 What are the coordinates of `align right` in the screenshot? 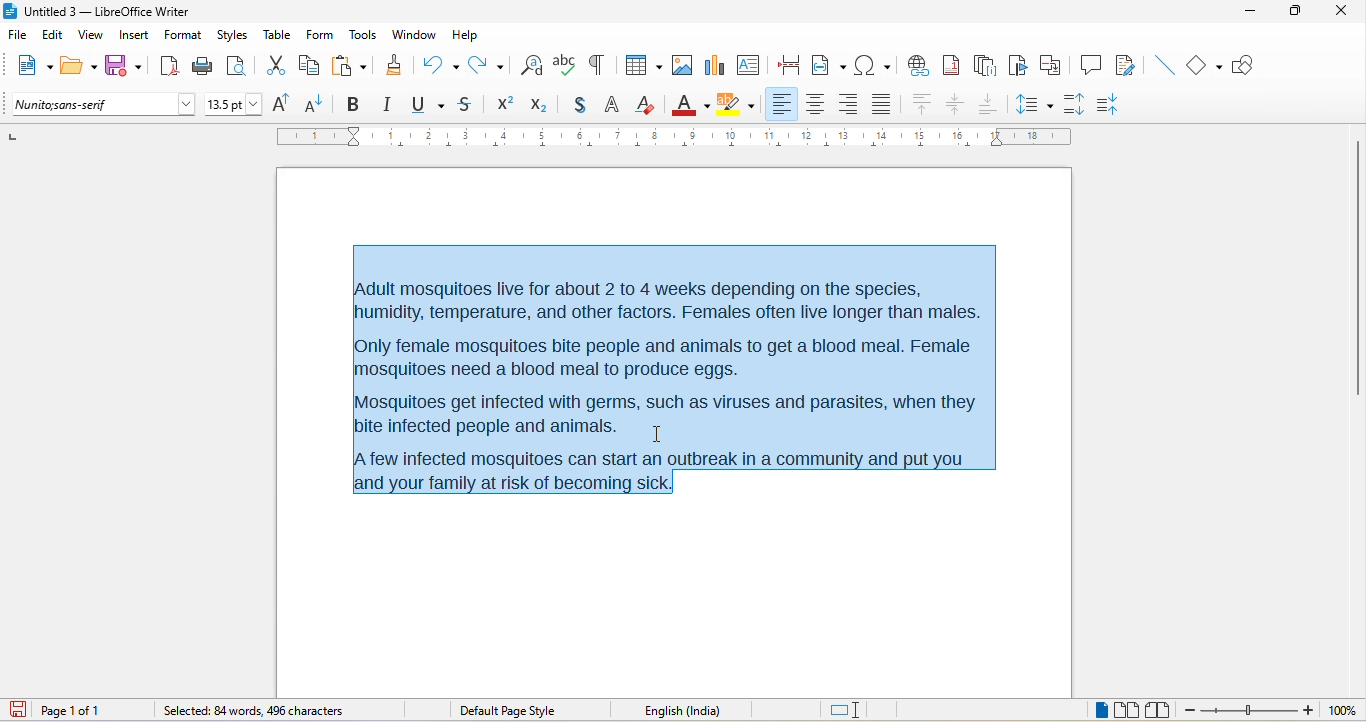 It's located at (847, 105).